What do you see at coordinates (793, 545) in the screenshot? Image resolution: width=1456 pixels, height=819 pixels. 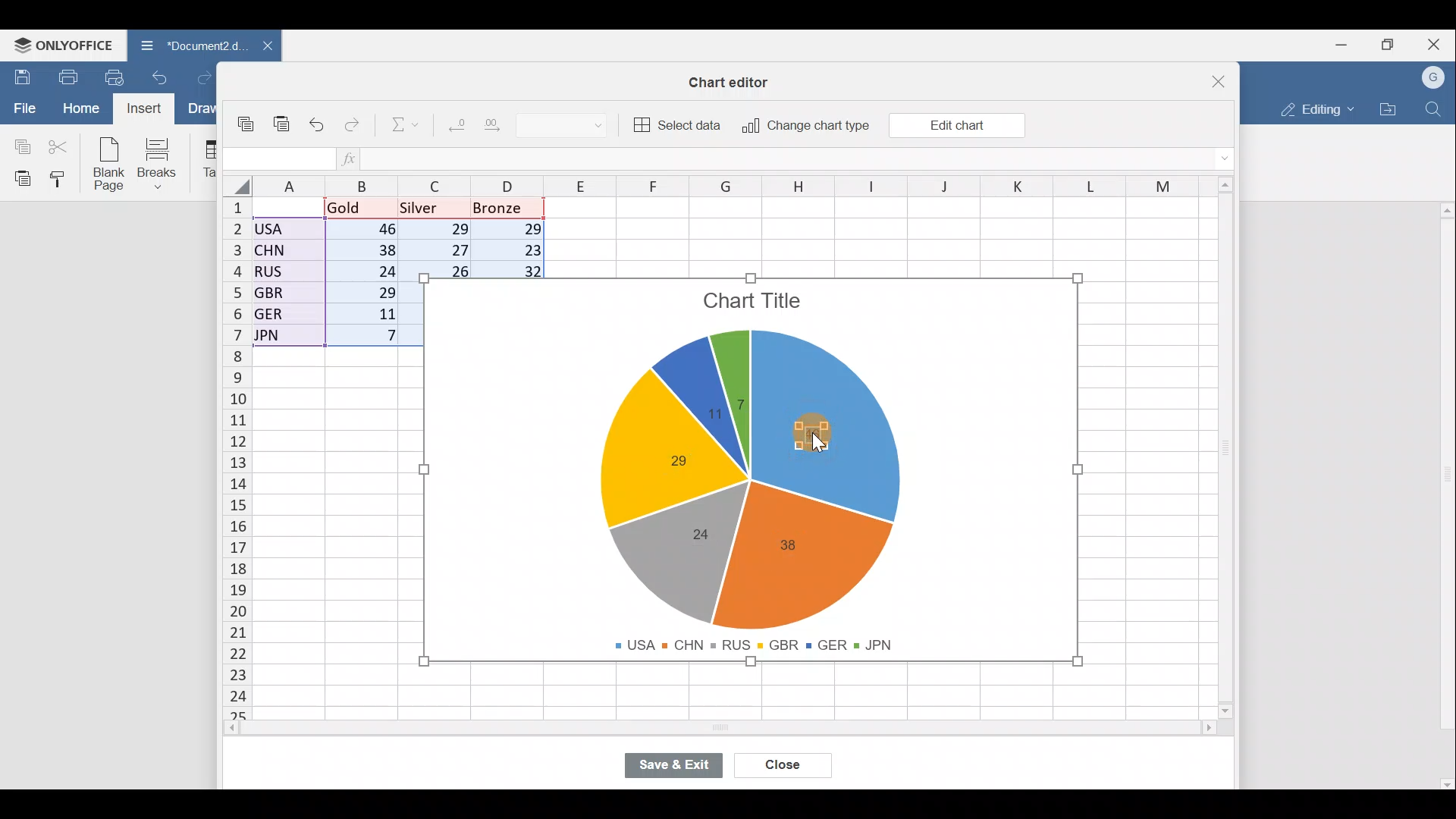 I see `Chart label` at bounding box center [793, 545].